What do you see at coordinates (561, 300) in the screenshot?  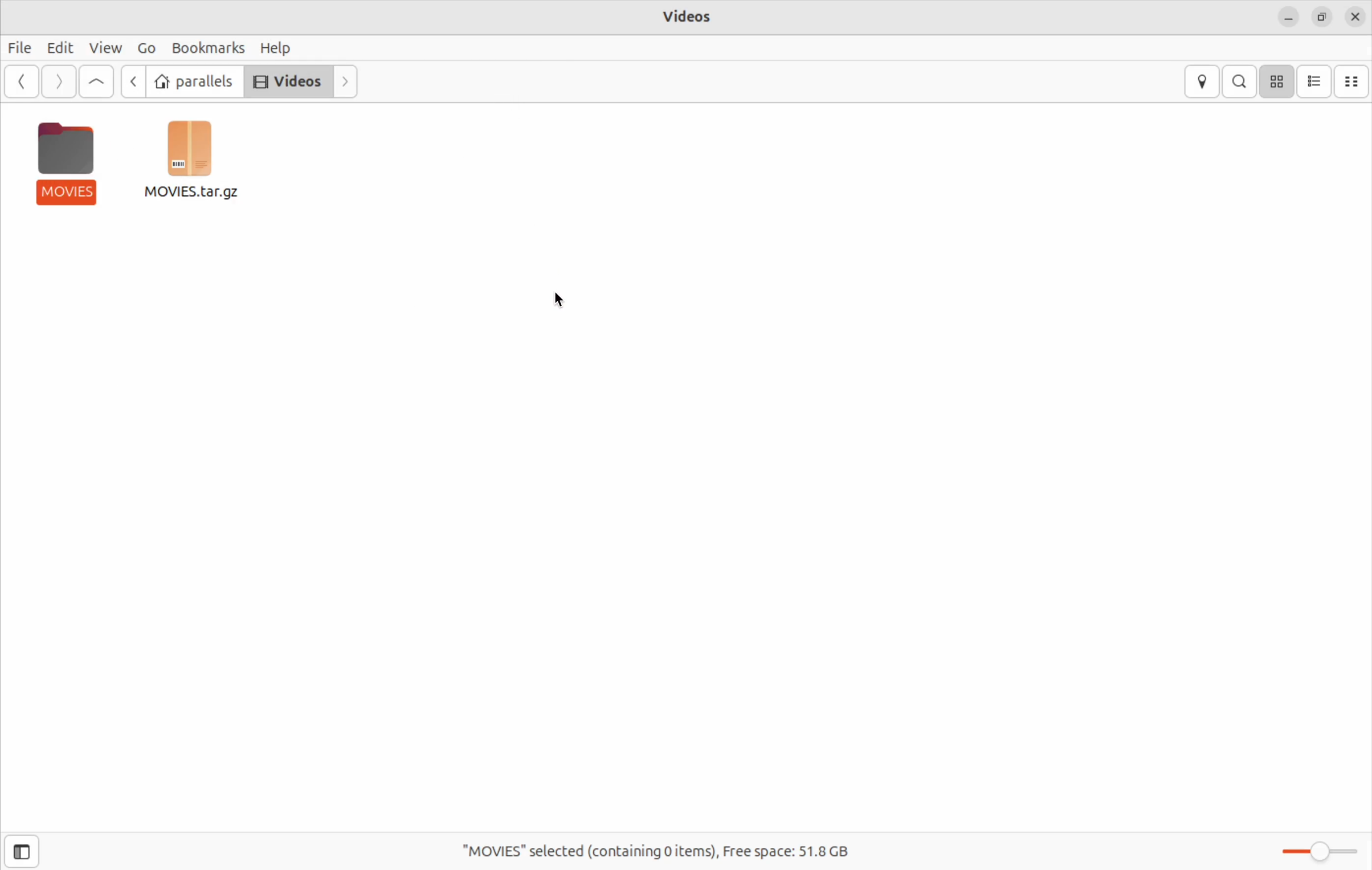 I see `cursor` at bounding box center [561, 300].